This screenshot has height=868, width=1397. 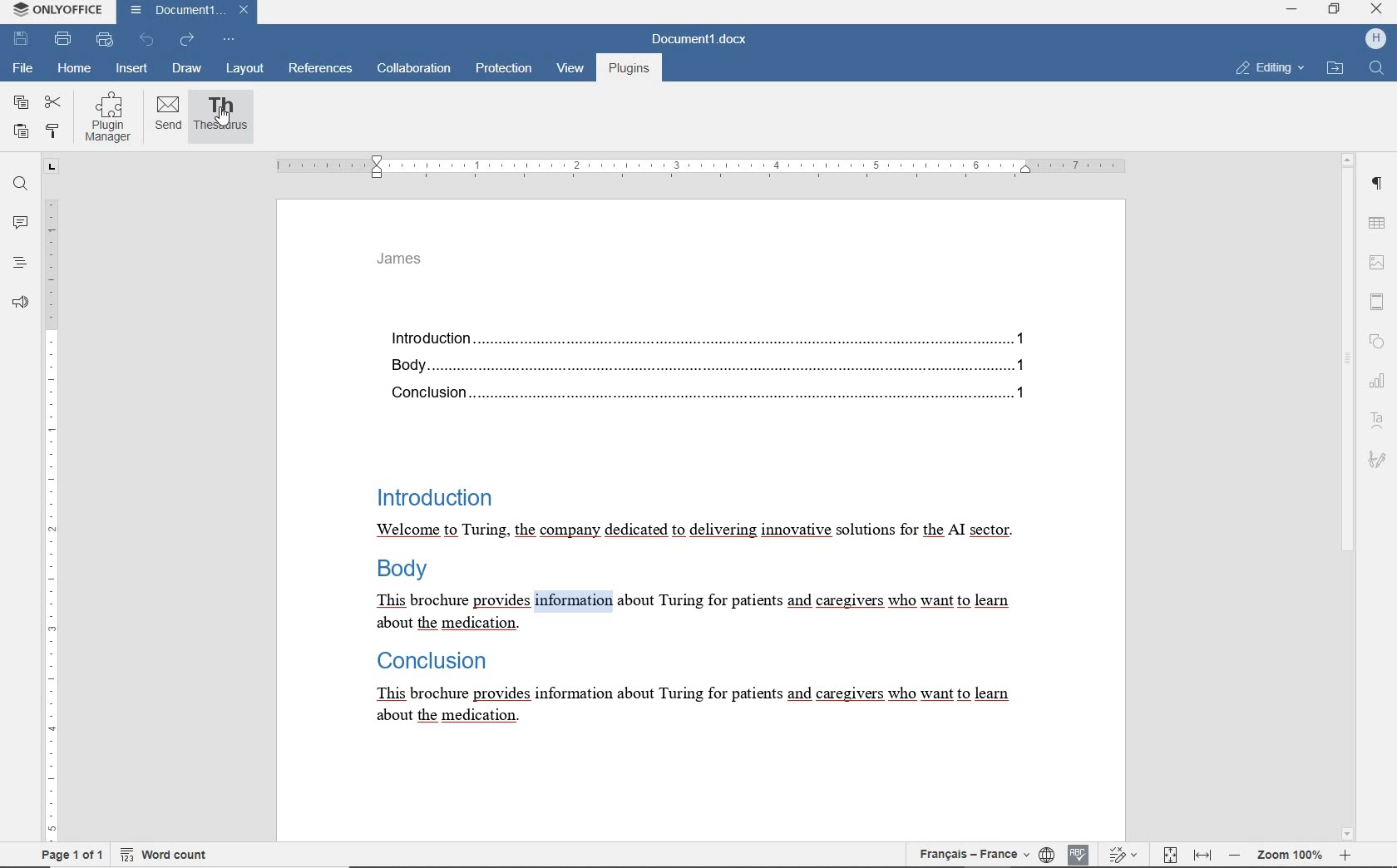 I want to click on SYSTEM NAME, so click(x=55, y=10).